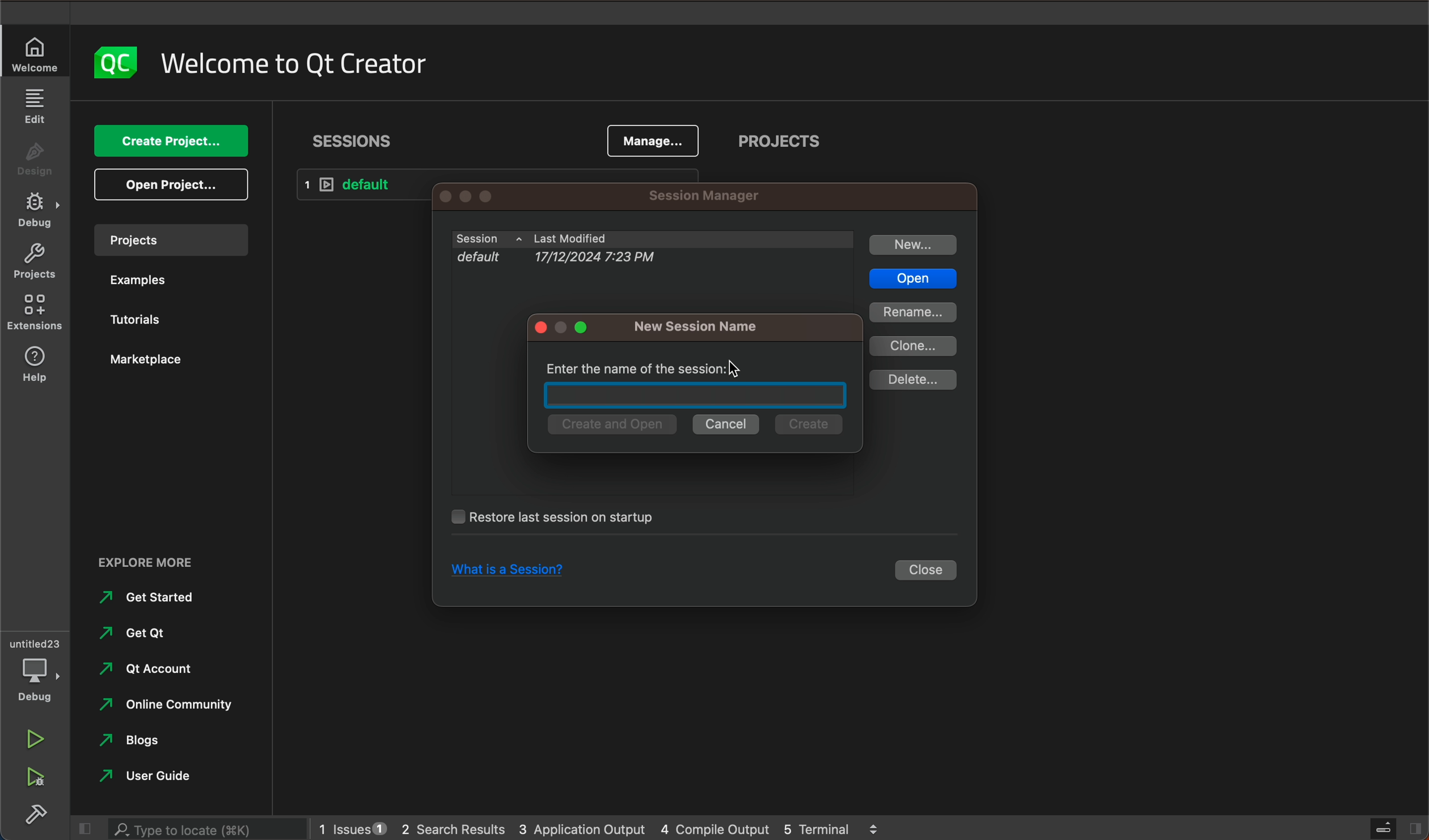 The width and height of the screenshot is (1429, 840). I want to click on qt account, so click(164, 670).